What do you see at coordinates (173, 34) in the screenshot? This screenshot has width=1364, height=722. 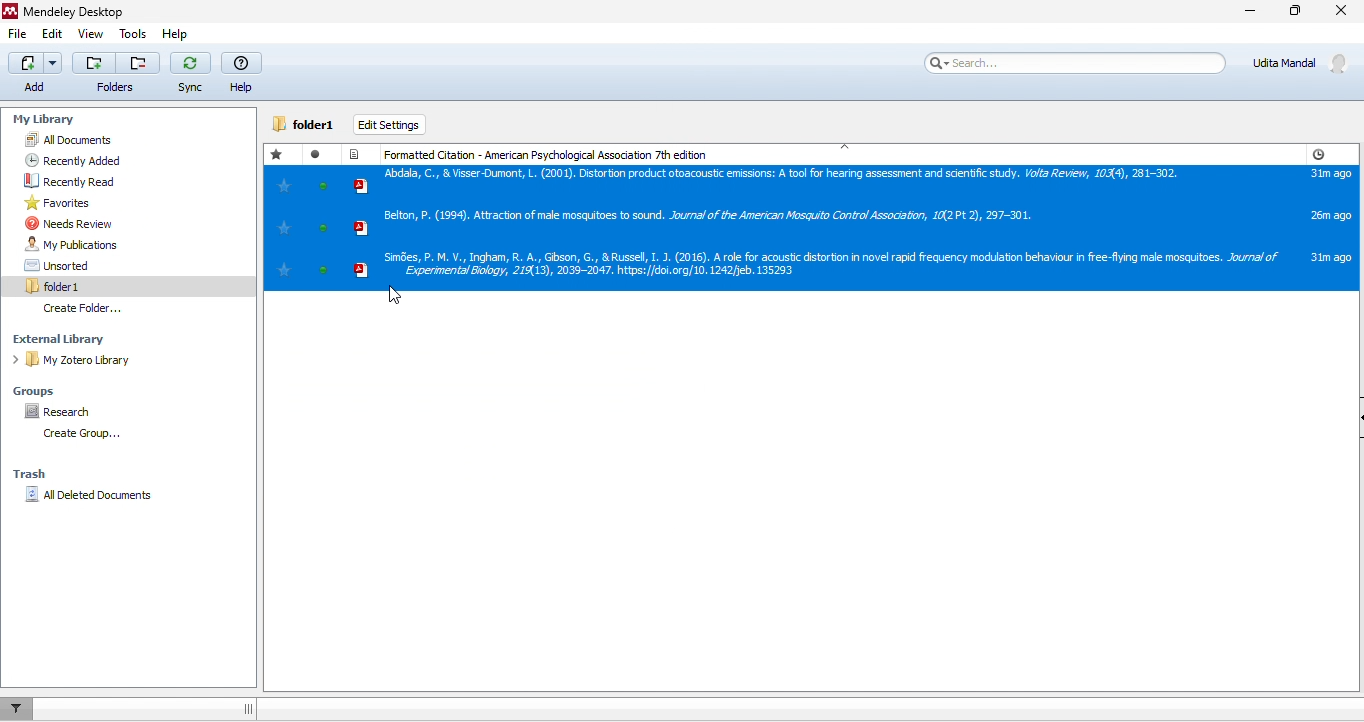 I see `help` at bounding box center [173, 34].